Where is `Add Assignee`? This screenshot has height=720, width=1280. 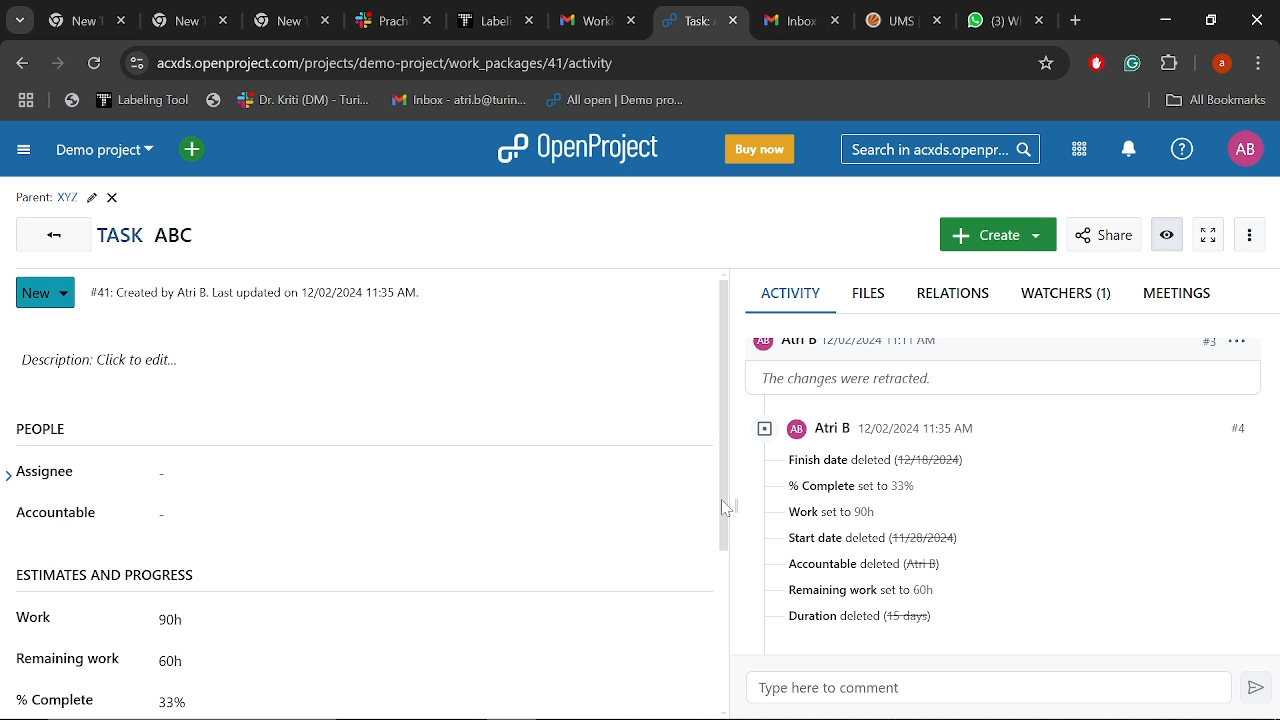 Add Assignee is located at coordinates (391, 472).